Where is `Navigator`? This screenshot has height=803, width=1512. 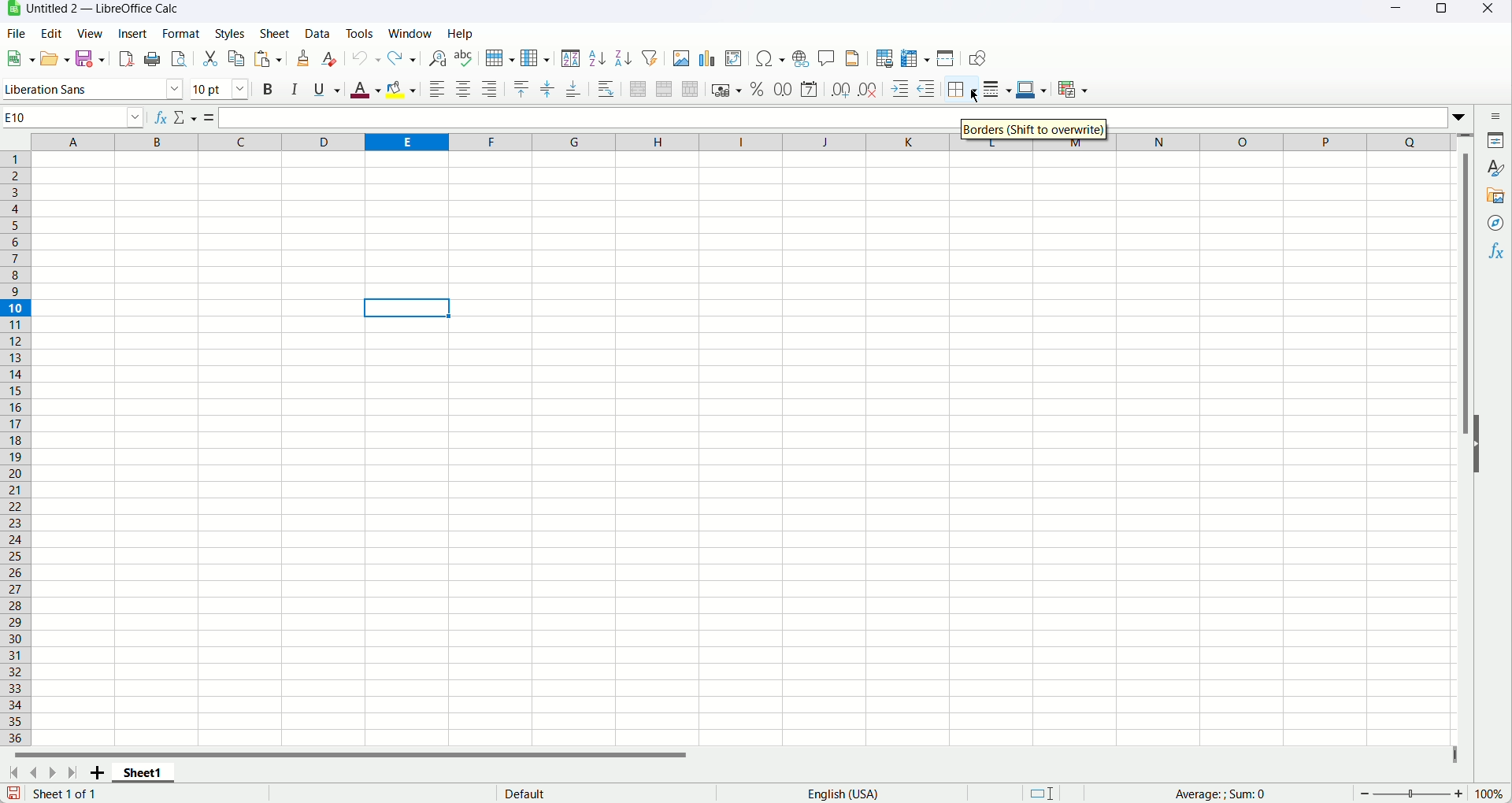 Navigator is located at coordinates (1496, 223).